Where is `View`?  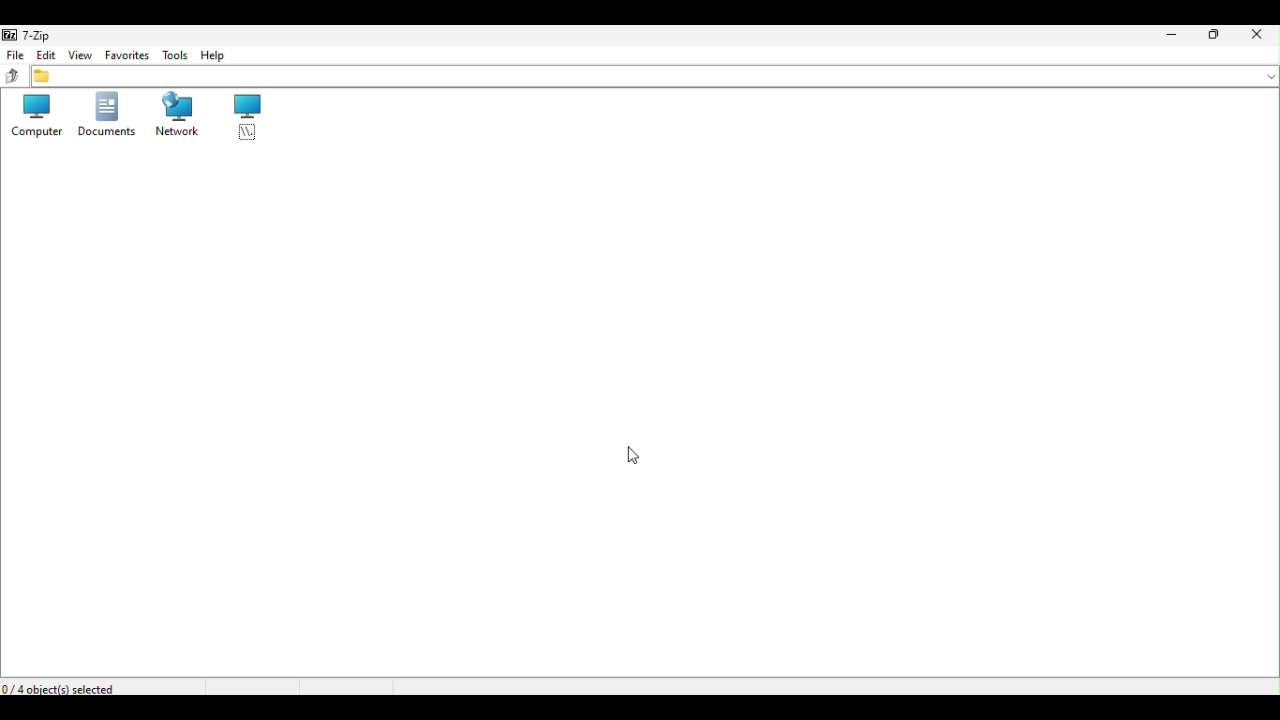 View is located at coordinates (79, 56).